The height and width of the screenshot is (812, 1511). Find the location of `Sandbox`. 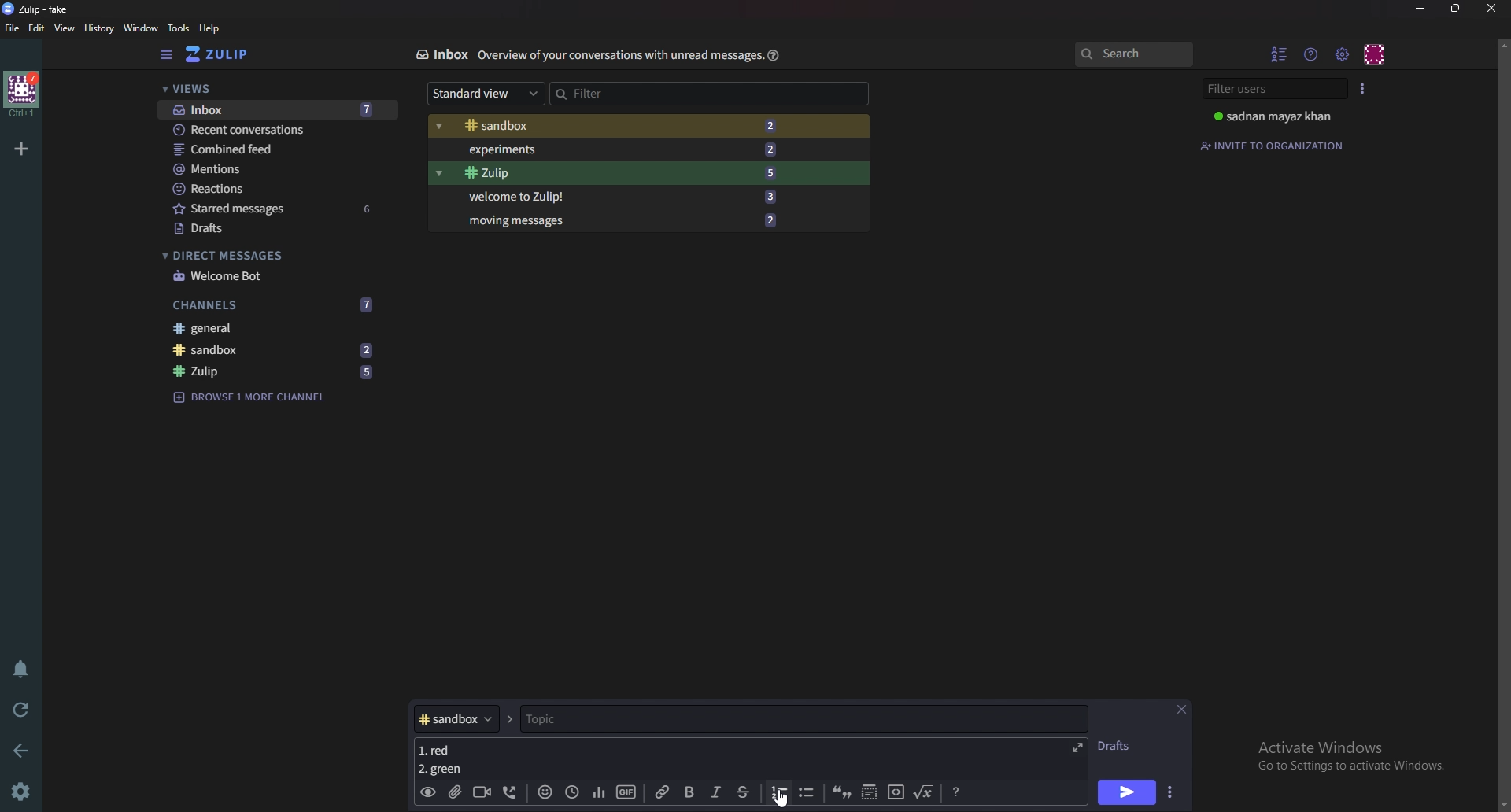

Sandbox is located at coordinates (622, 126).